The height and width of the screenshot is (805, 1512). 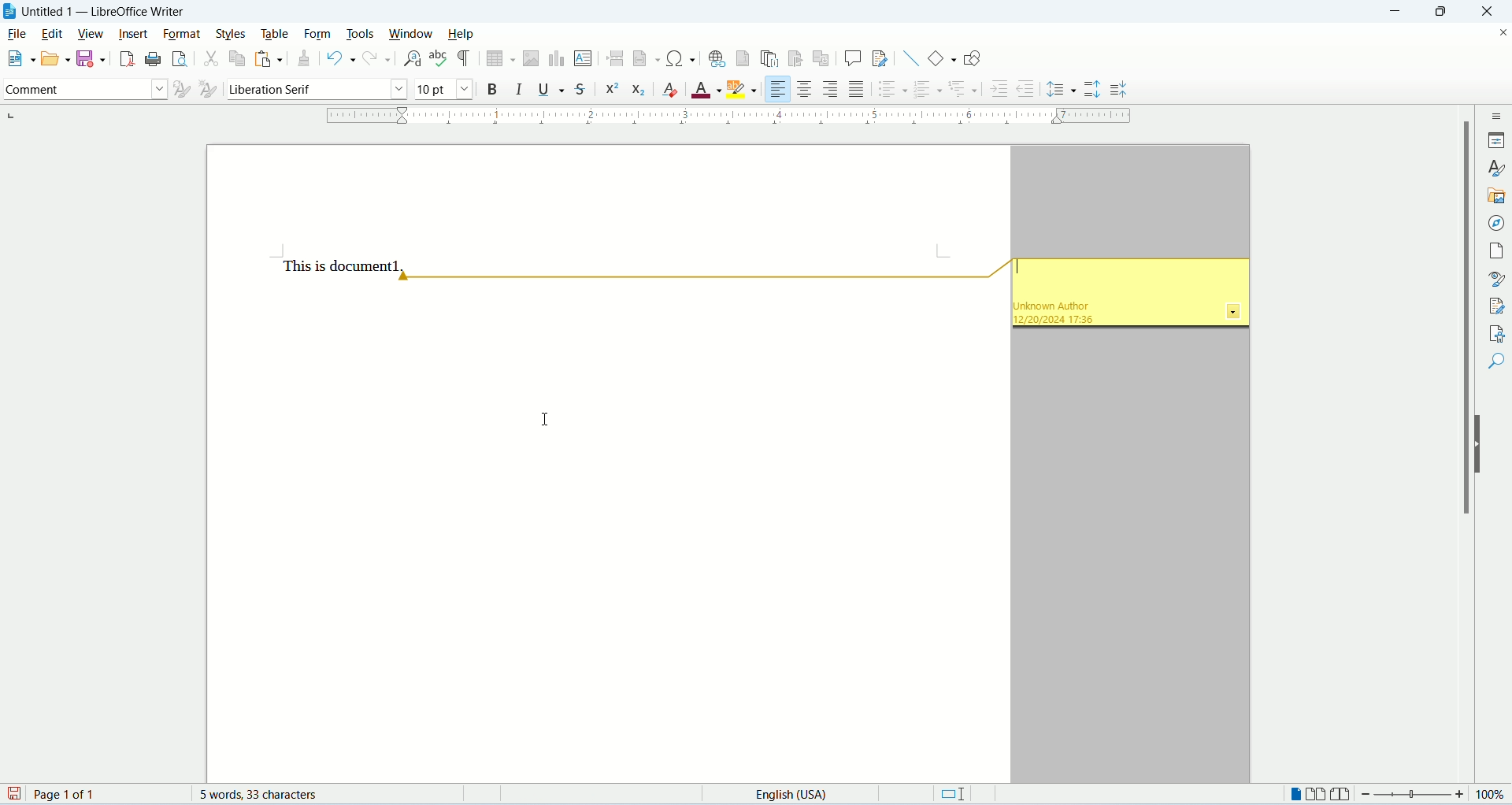 What do you see at coordinates (493, 89) in the screenshot?
I see `bold` at bounding box center [493, 89].